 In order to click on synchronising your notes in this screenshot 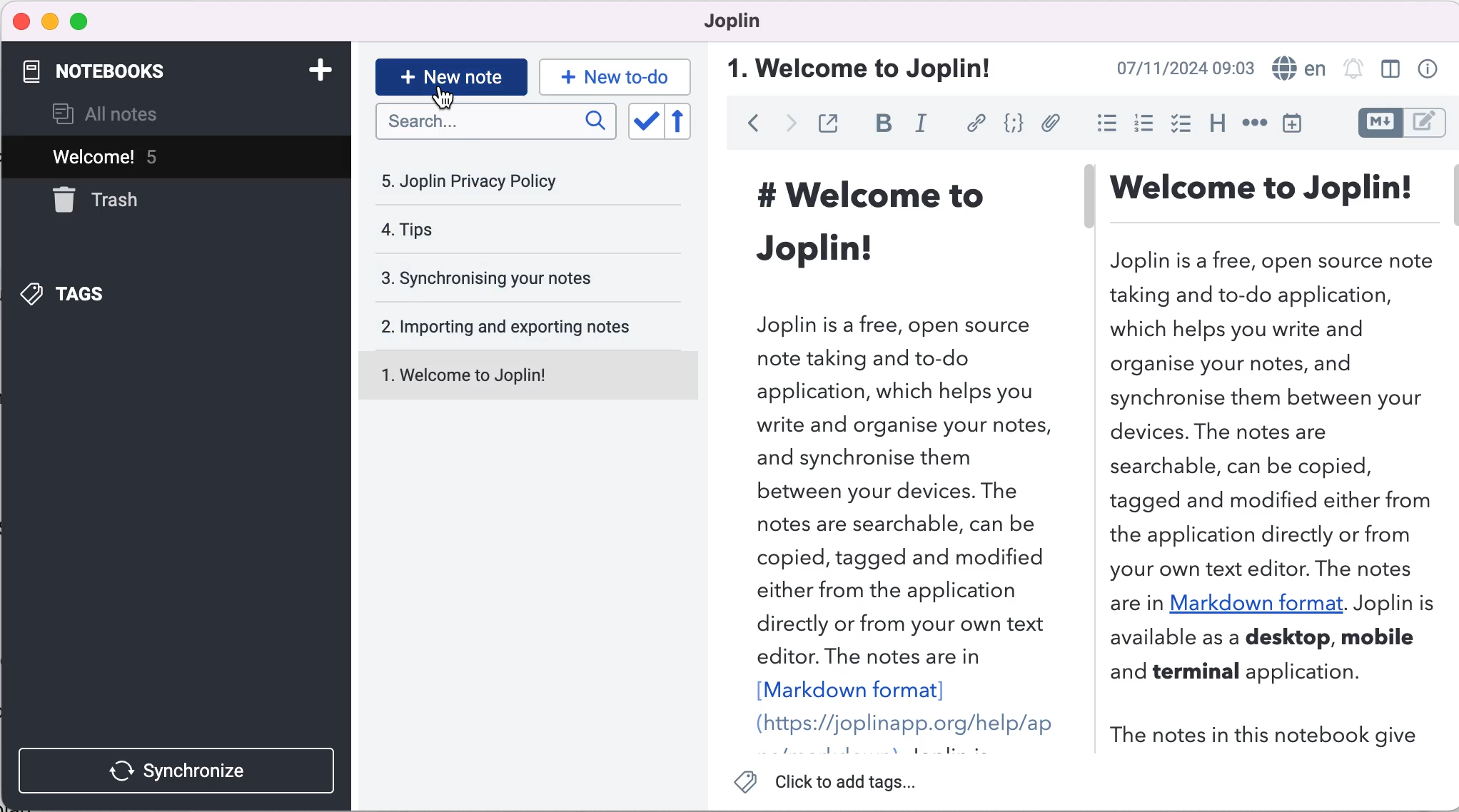, I will do `click(508, 278)`.